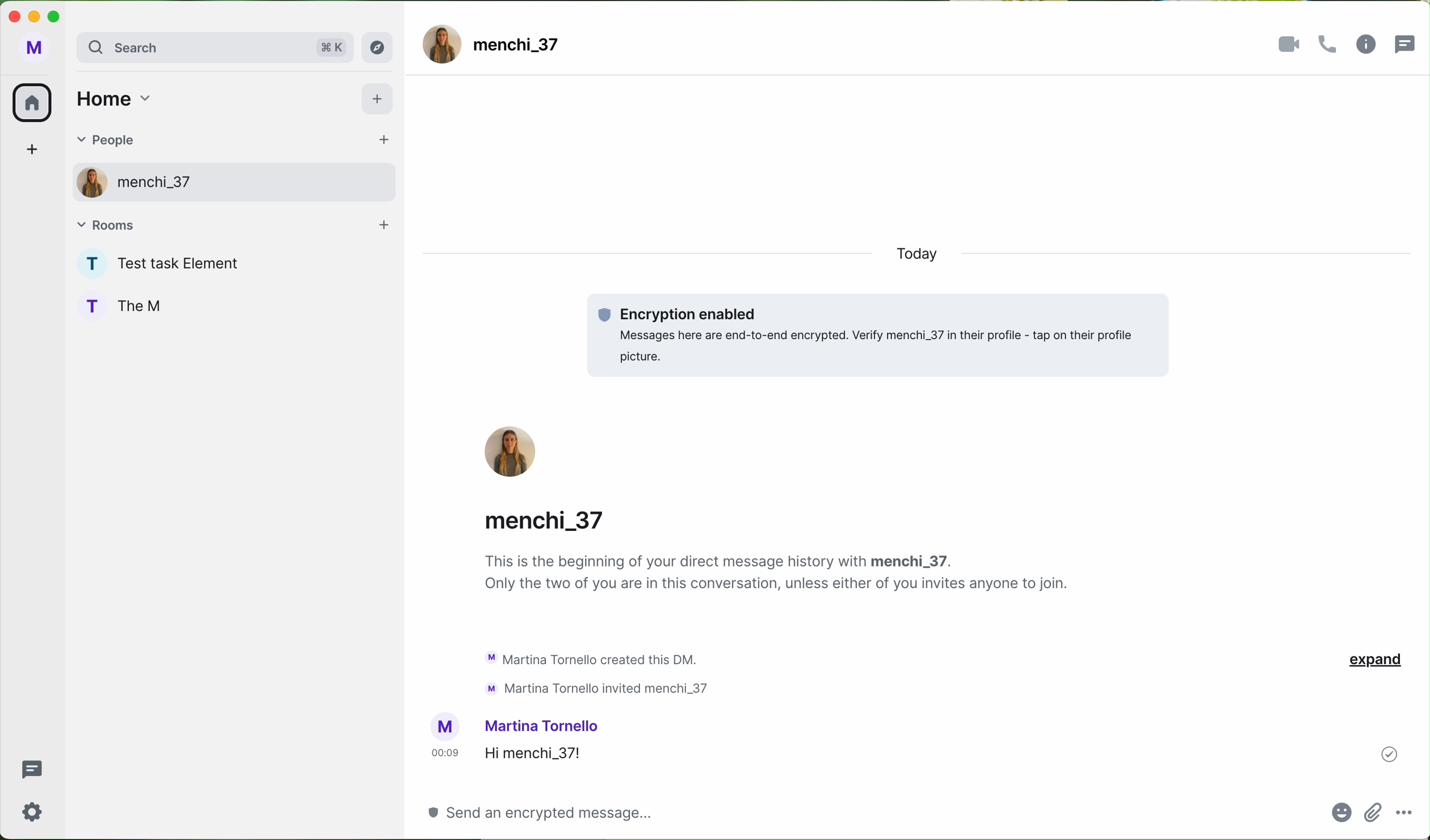 The height and width of the screenshot is (840, 1430). I want to click on sent, so click(1389, 755).